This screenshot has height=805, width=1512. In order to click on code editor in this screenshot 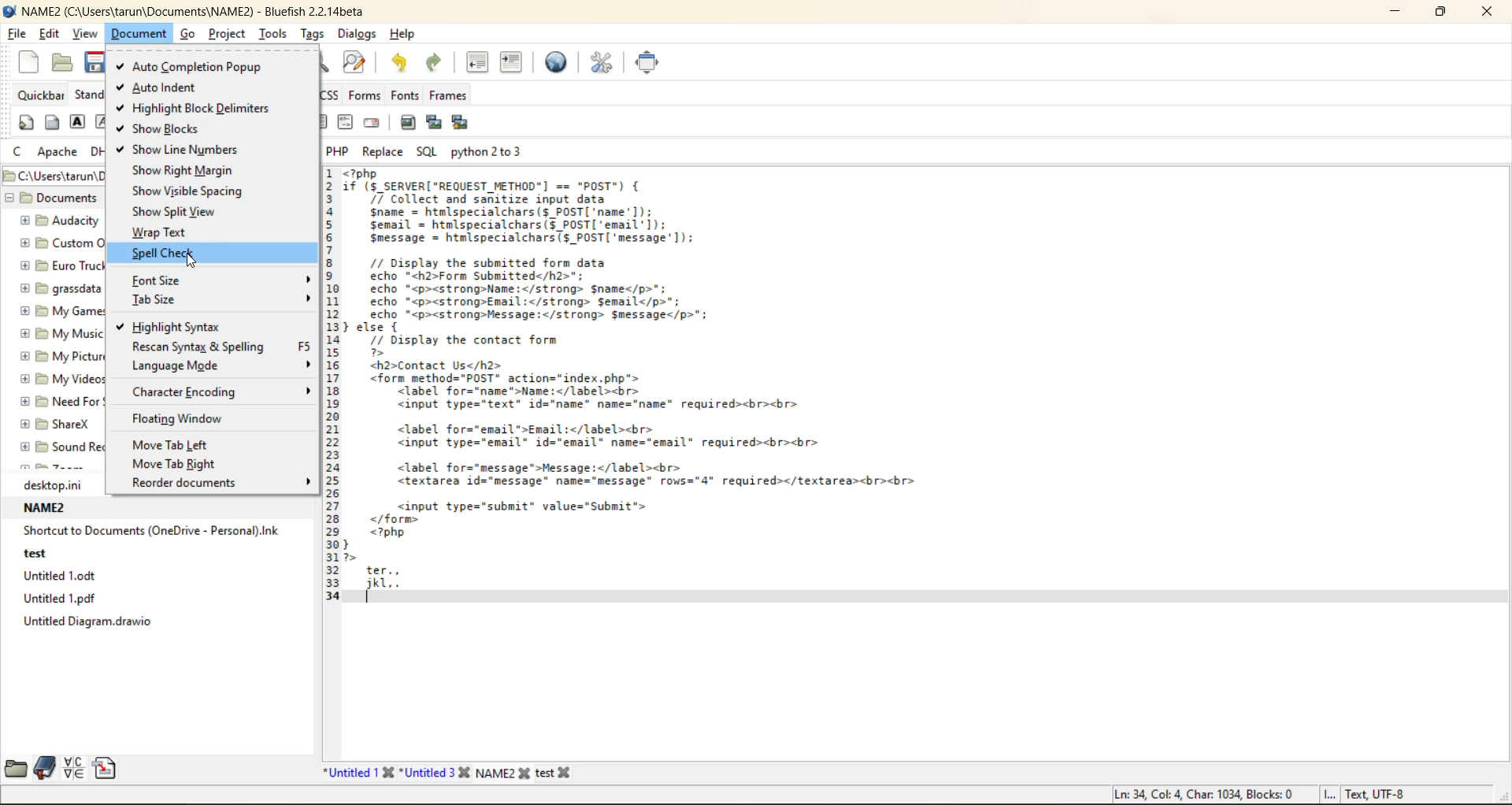, I will do `click(641, 387)`.